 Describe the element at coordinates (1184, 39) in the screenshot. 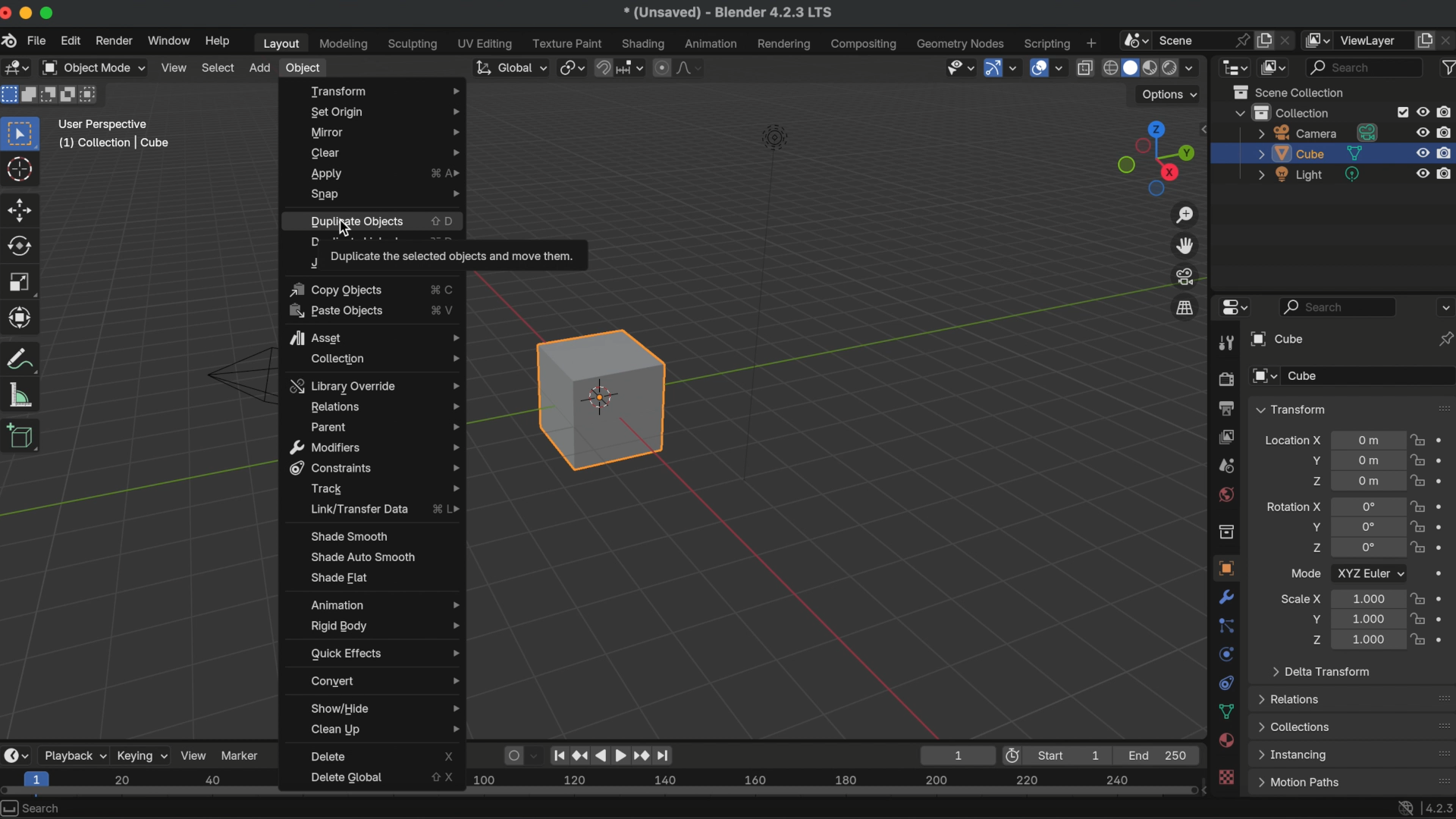

I see `scene` at that location.